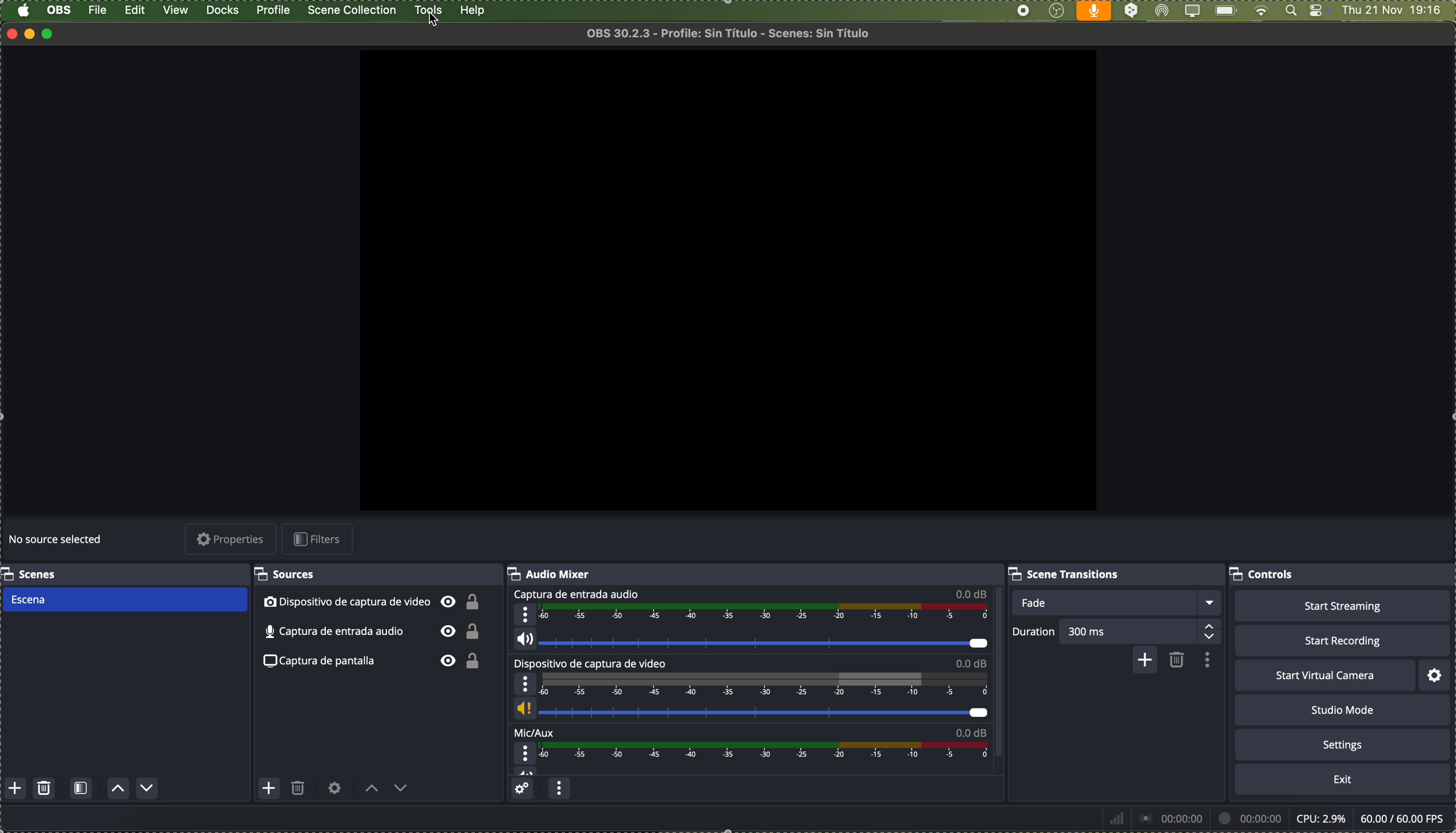 The width and height of the screenshot is (1456, 833). I want to click on transition properties, so click(1206, 660).